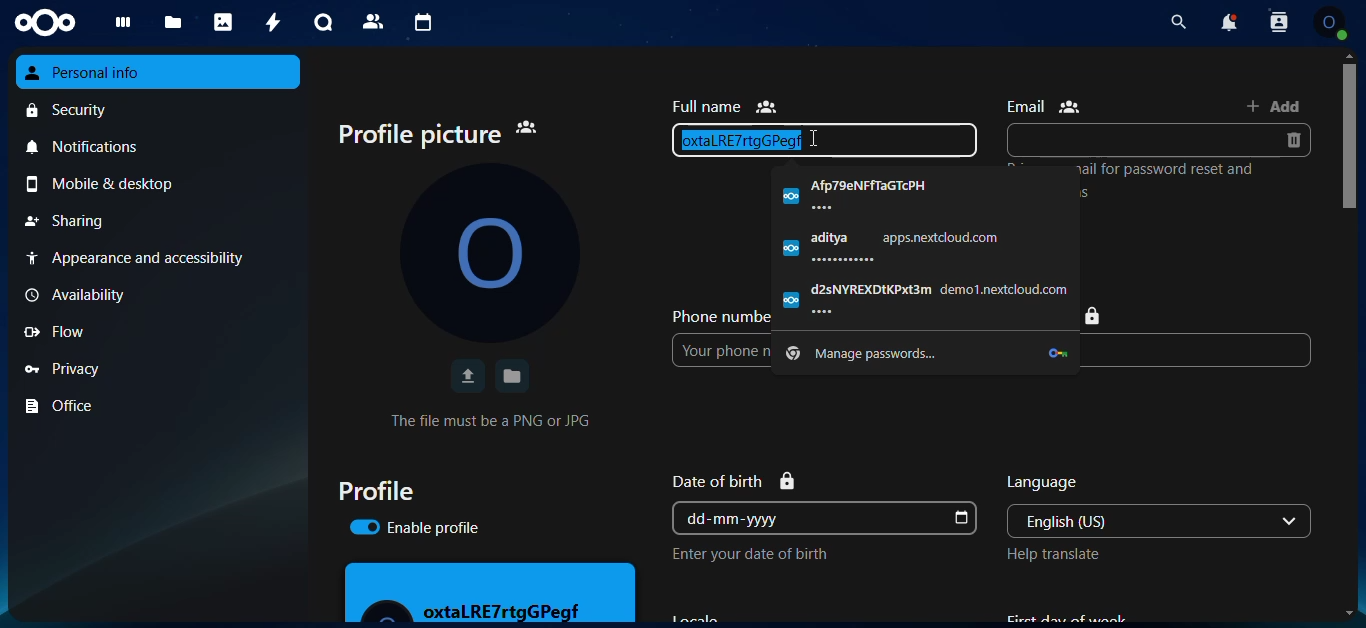 The width and height of the screenshot is (1366, 628). I want to click on Cursor, so click(812, 138).